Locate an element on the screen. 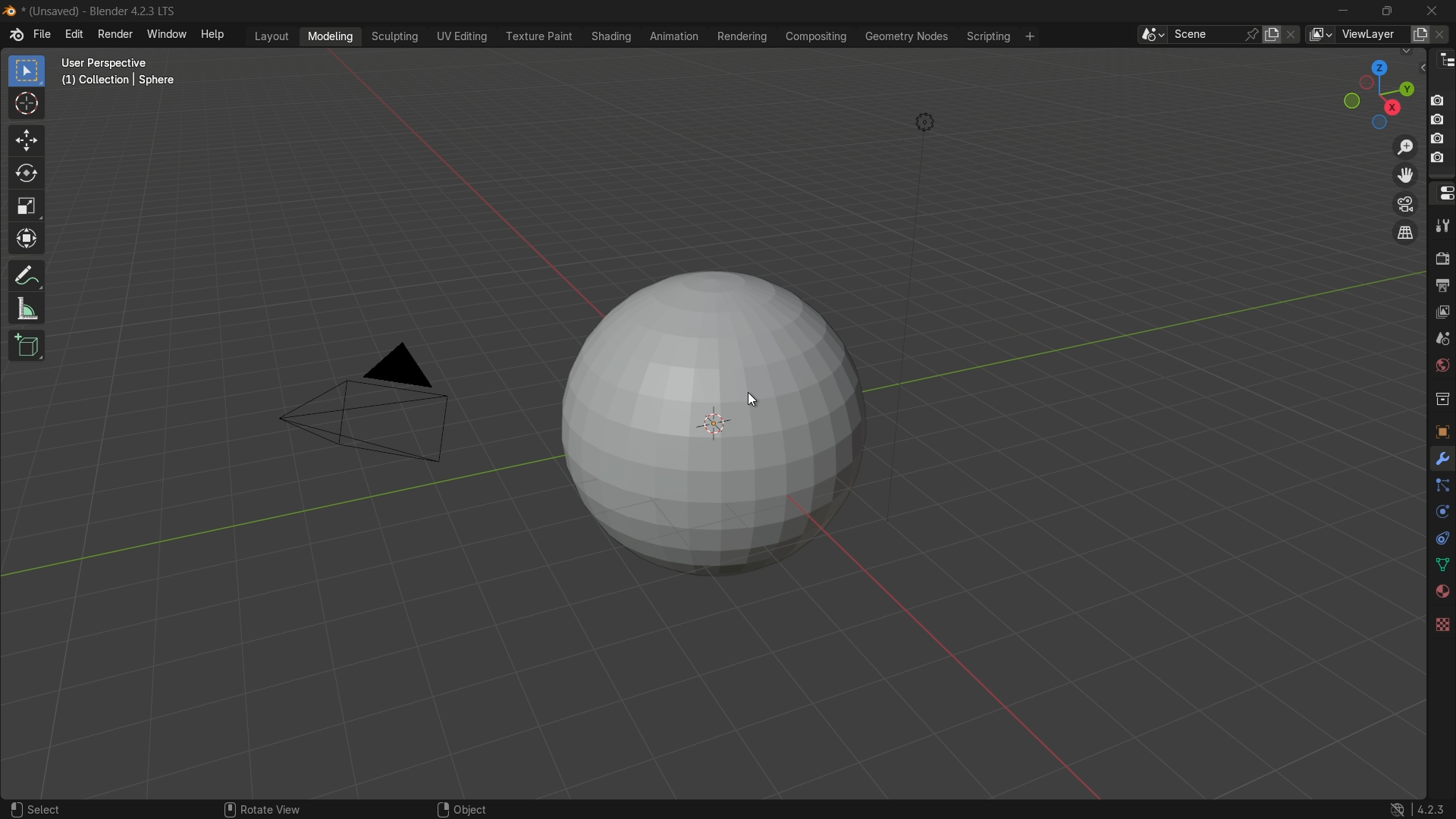  user perspective (1) collection | sphere is located at coordinates (121, 71).